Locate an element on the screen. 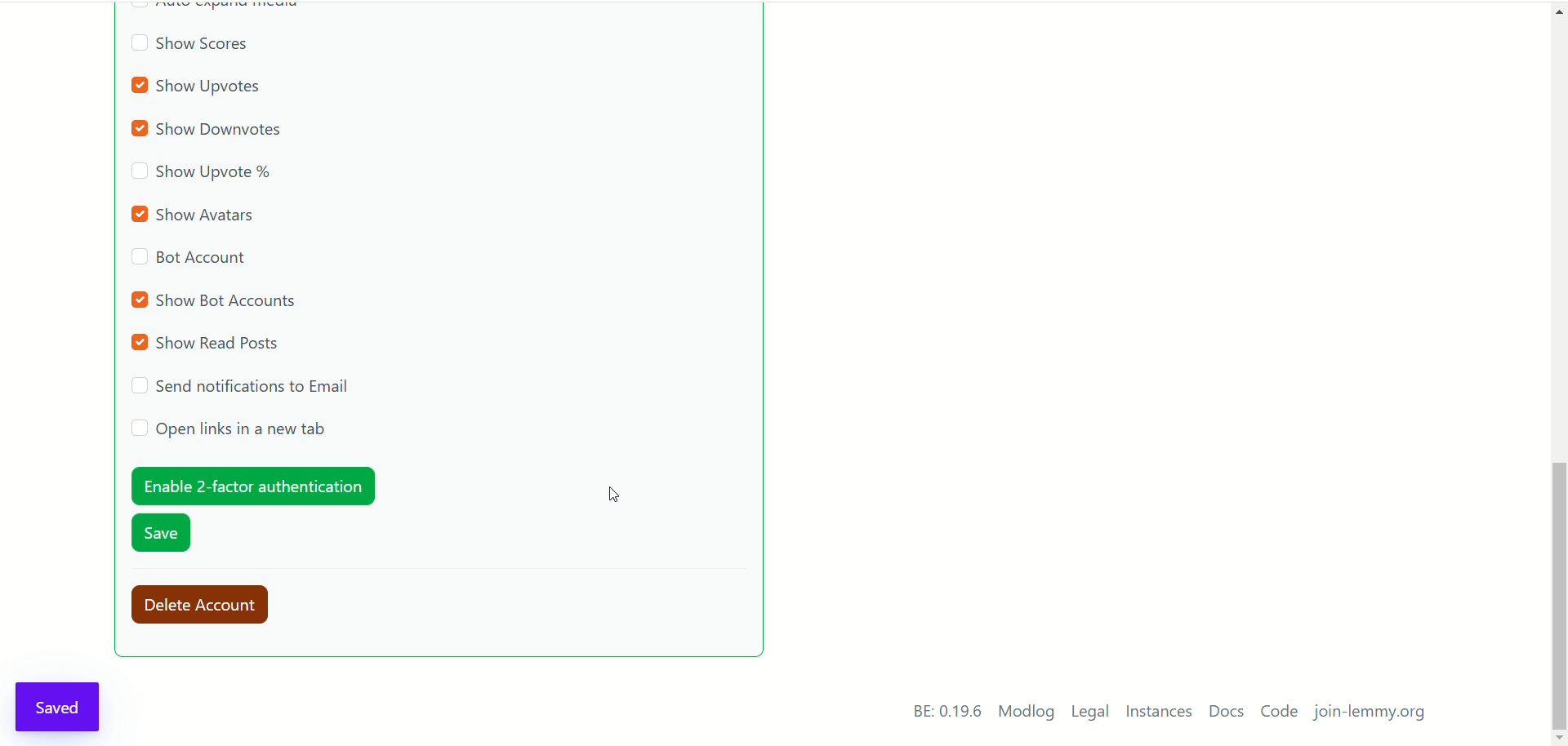  INSTANCES is located at coordinates (1162, 713).